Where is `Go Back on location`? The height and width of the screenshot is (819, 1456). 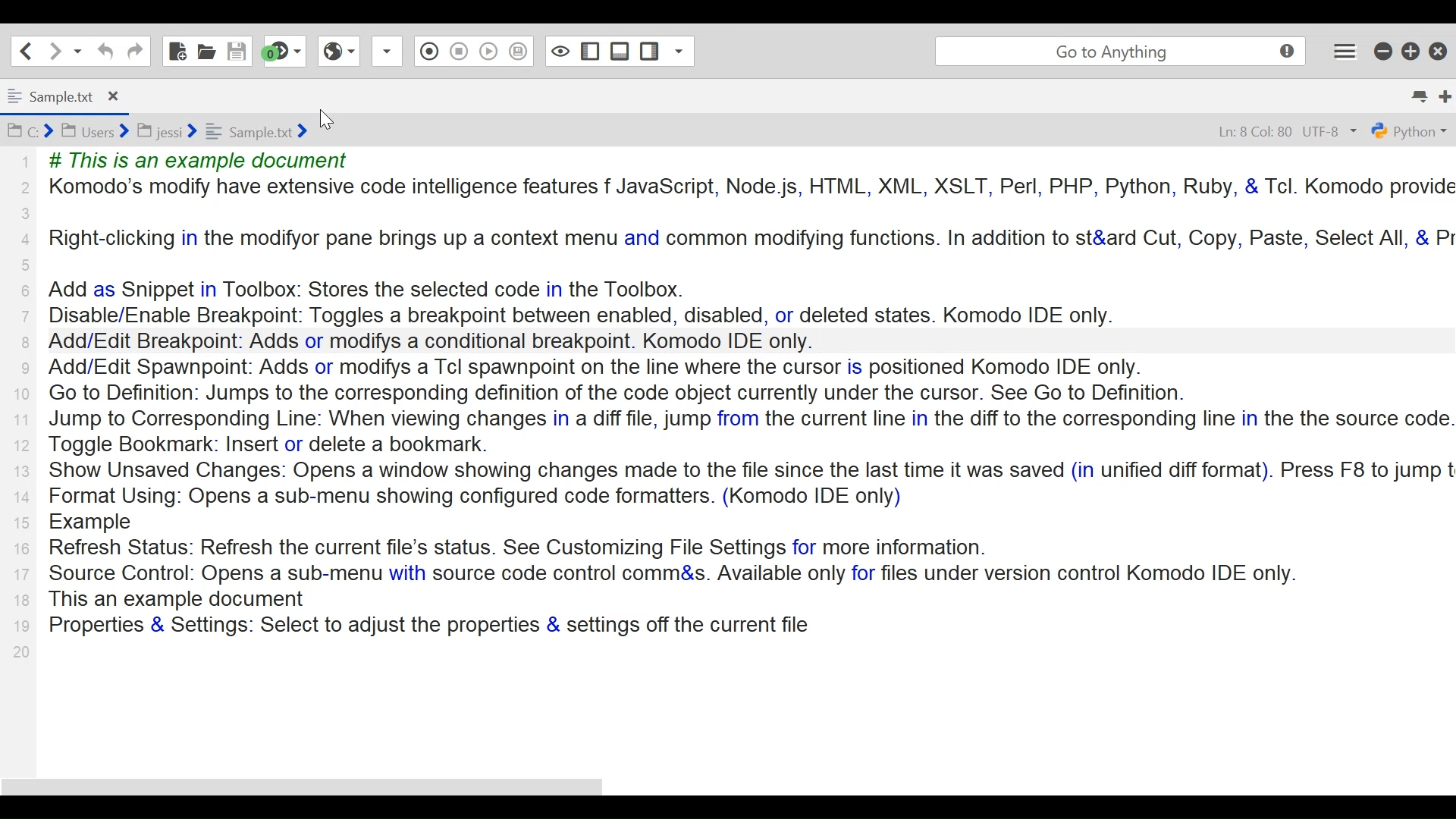
Go Back on location is located at coordinates (24, 50).